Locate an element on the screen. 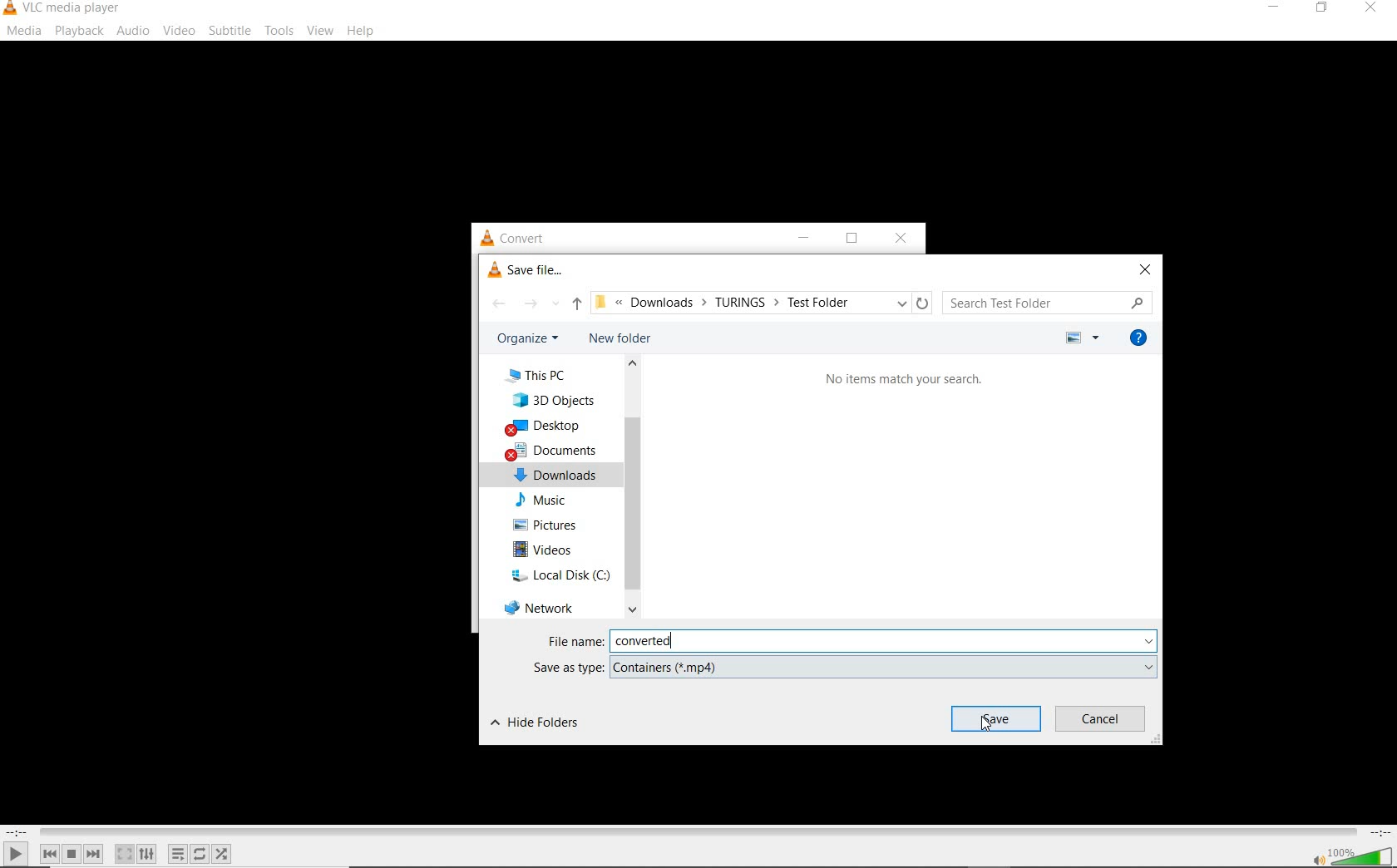 This screenshot has height=868, width=1397. volume is located at coordinates (1362, 855).